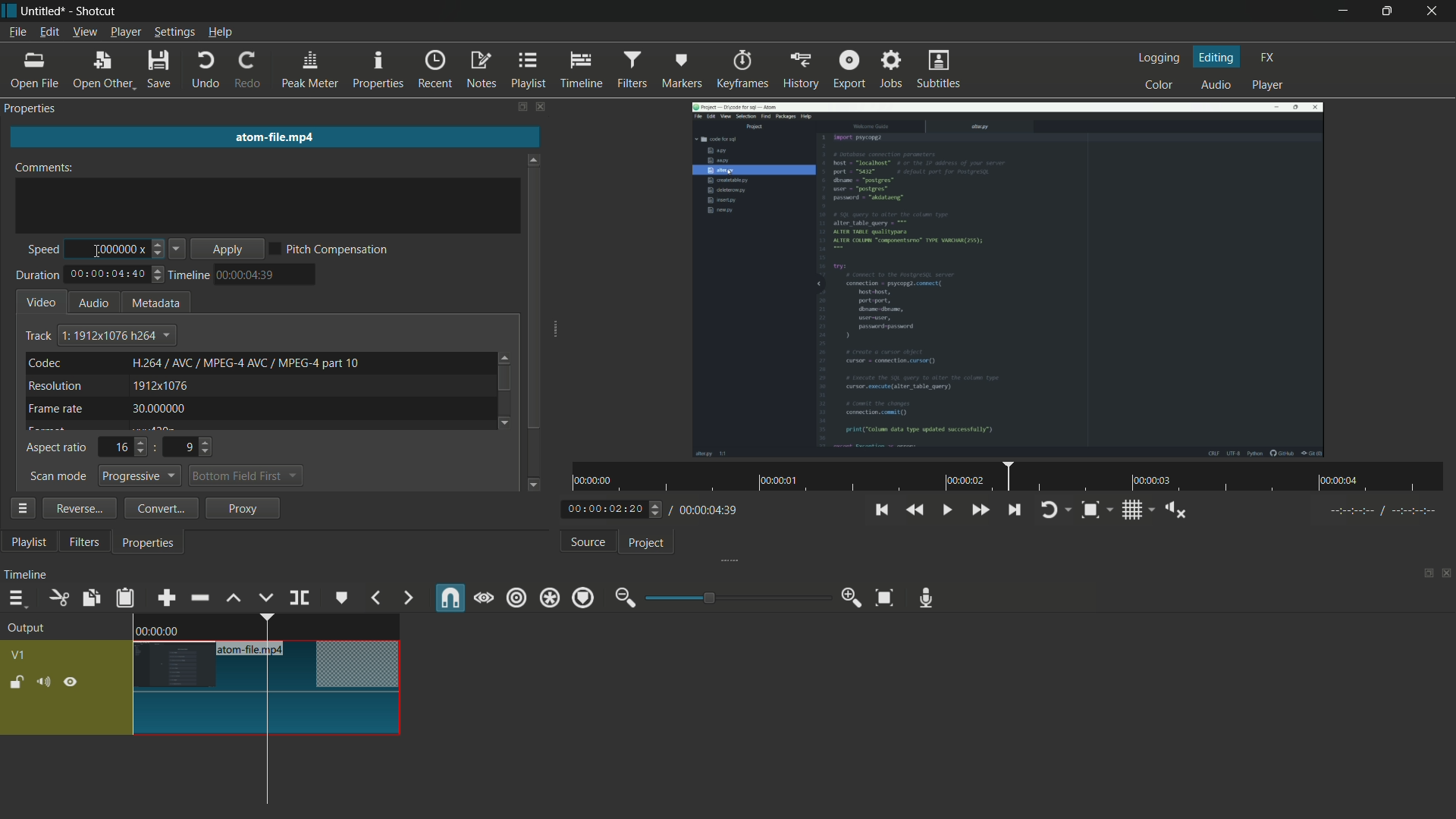 The image size is (1456, 819). Describe the element at coordinates (236, 599) in the screenshot. I see `lift` at that location.